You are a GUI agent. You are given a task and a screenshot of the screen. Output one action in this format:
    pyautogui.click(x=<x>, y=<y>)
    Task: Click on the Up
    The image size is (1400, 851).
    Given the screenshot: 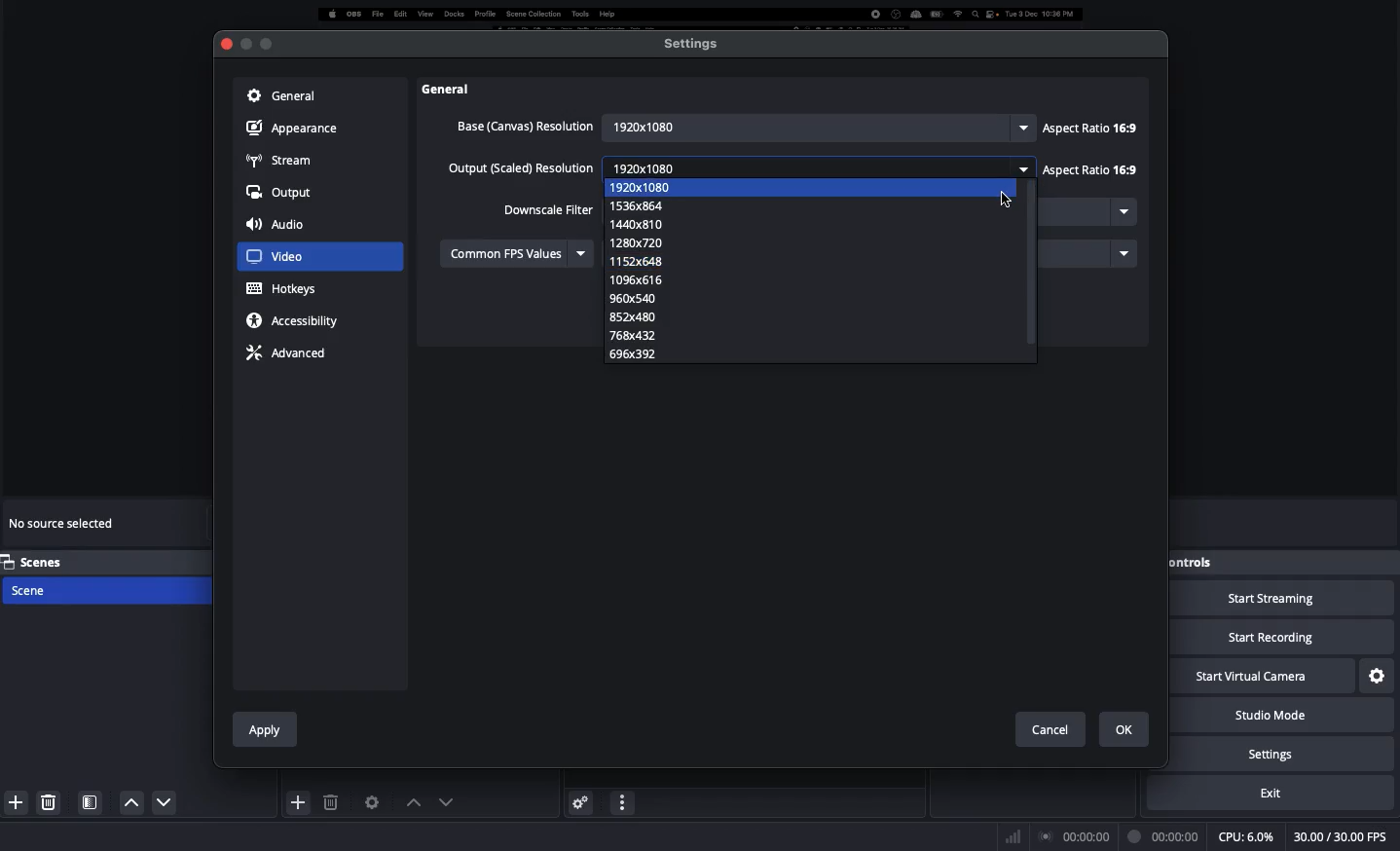 What is the action you would take?
    pyautogui.click(x=159, y=804)
    